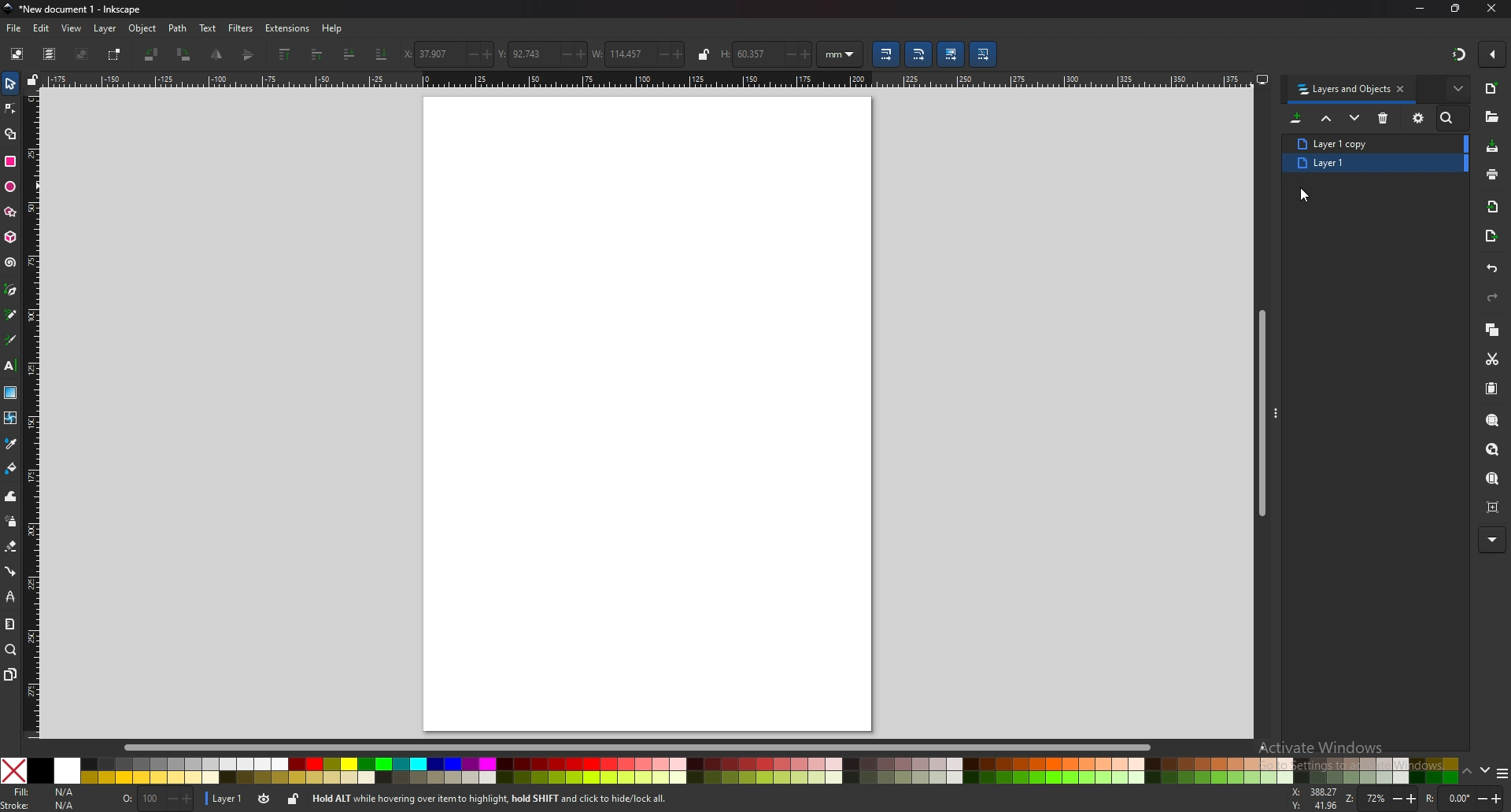 The width and height of the screenshot is (1511, 812). I want to click on cut, so click(1493, 360).